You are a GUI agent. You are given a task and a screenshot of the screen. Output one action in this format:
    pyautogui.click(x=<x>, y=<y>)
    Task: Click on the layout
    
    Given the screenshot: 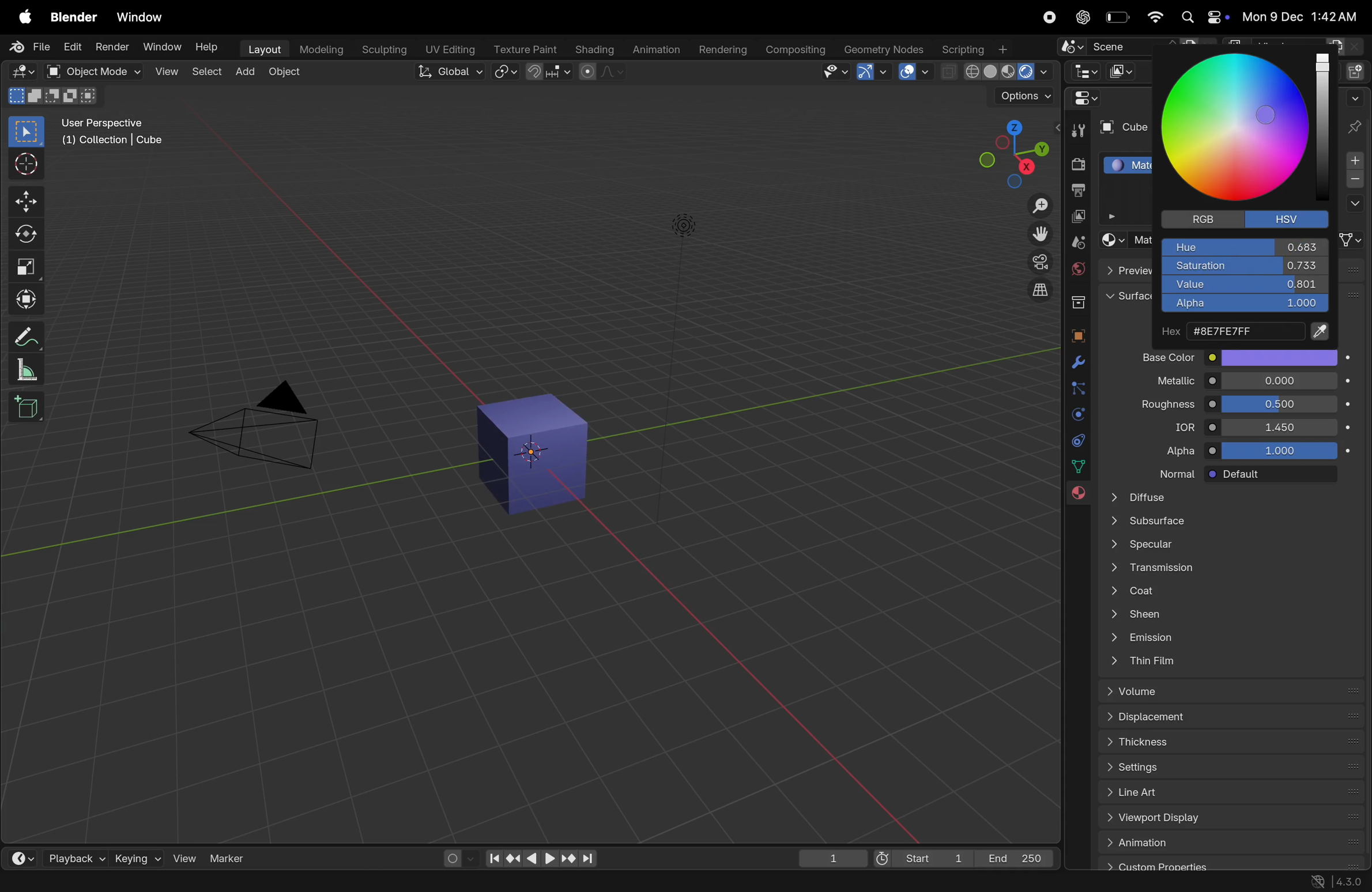 What is the action you would take?
    pyautogui.click(x=263, y=50)
    